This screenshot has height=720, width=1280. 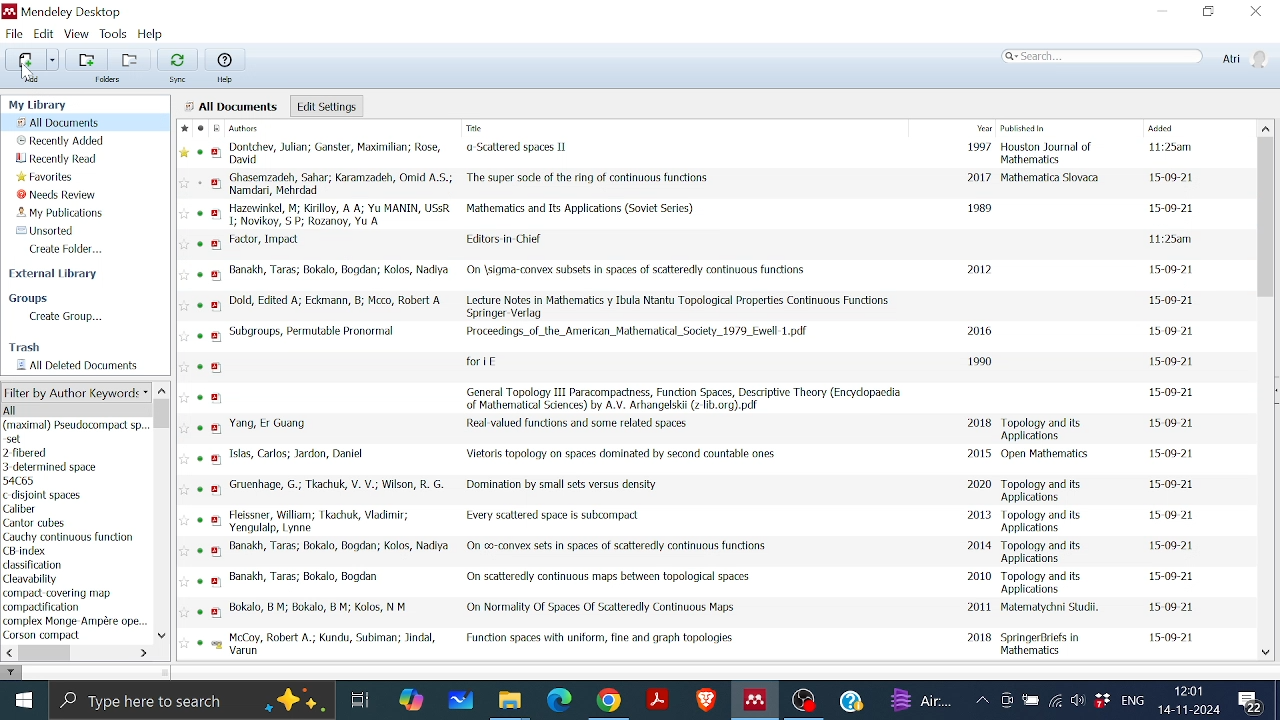 I want to click on Google chrome, so click(x=610, y=700).